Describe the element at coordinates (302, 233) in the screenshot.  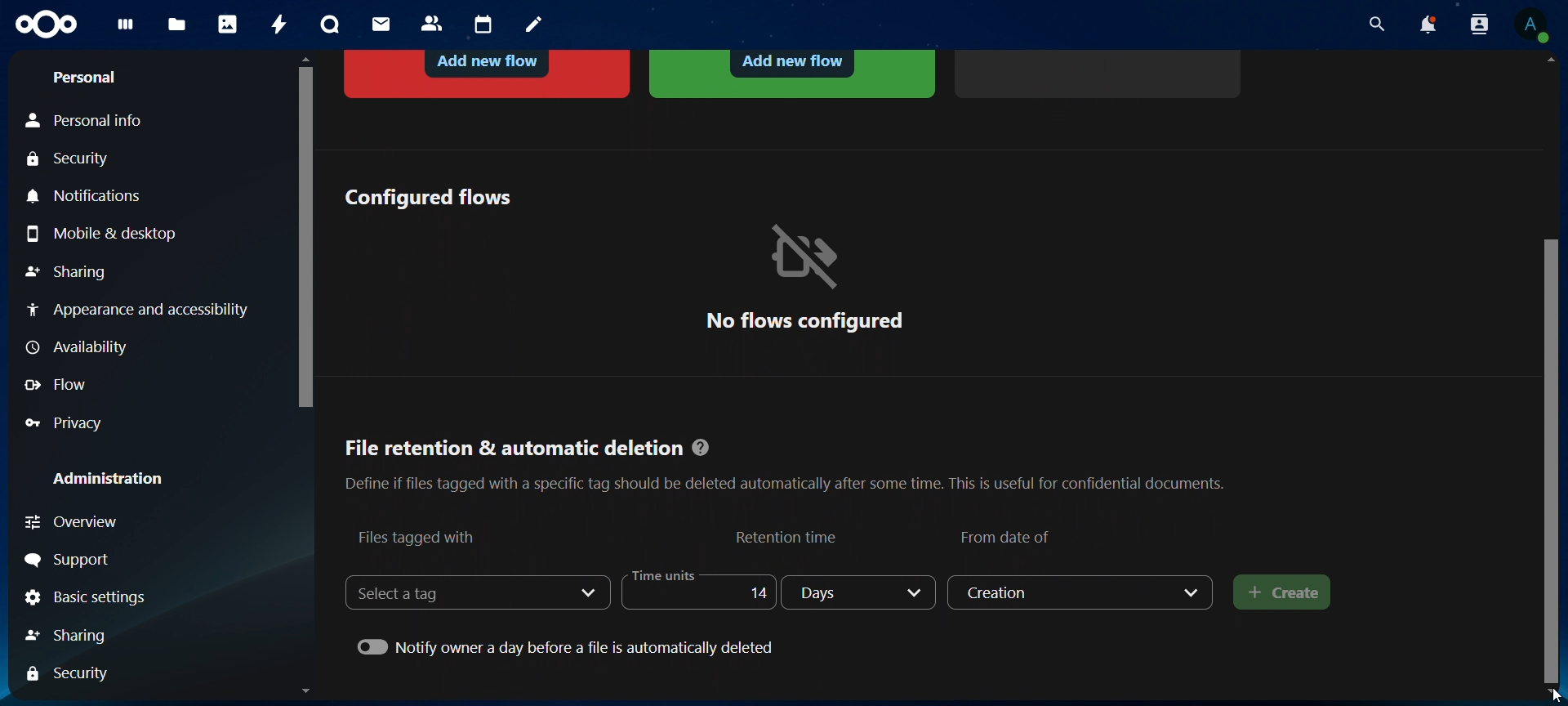
I see `scrollbar` at that location.